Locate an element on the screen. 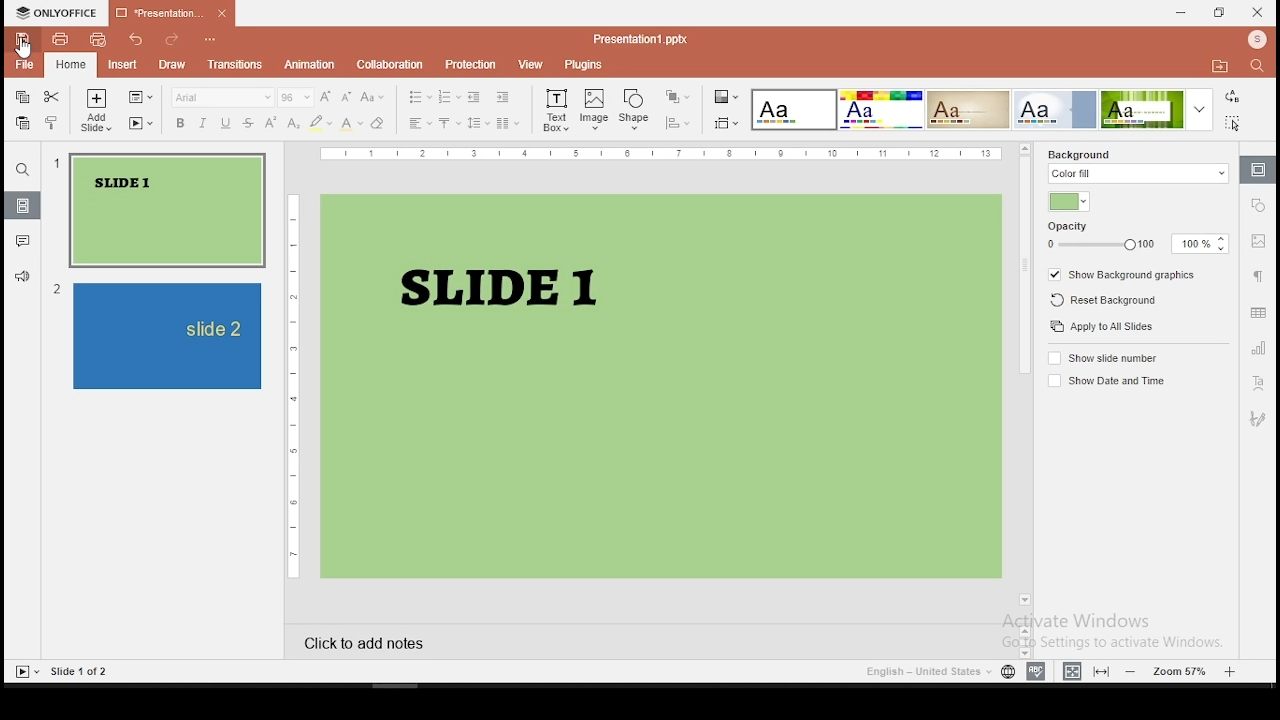 The height and width of the screenshot is (720, 1280). home is located at coordinates (68, 67).